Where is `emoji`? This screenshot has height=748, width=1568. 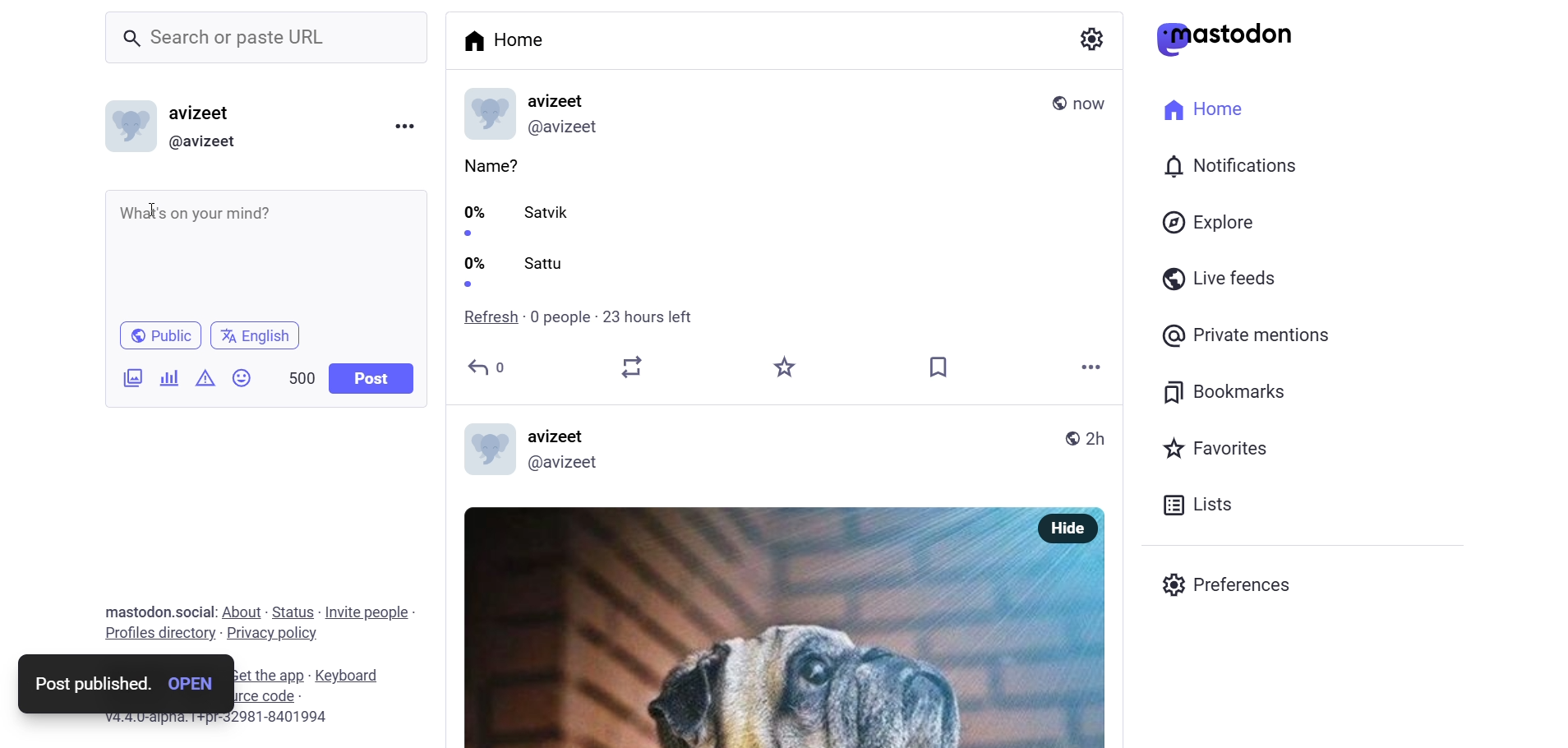 emoji is located at coordinates (240, 378).